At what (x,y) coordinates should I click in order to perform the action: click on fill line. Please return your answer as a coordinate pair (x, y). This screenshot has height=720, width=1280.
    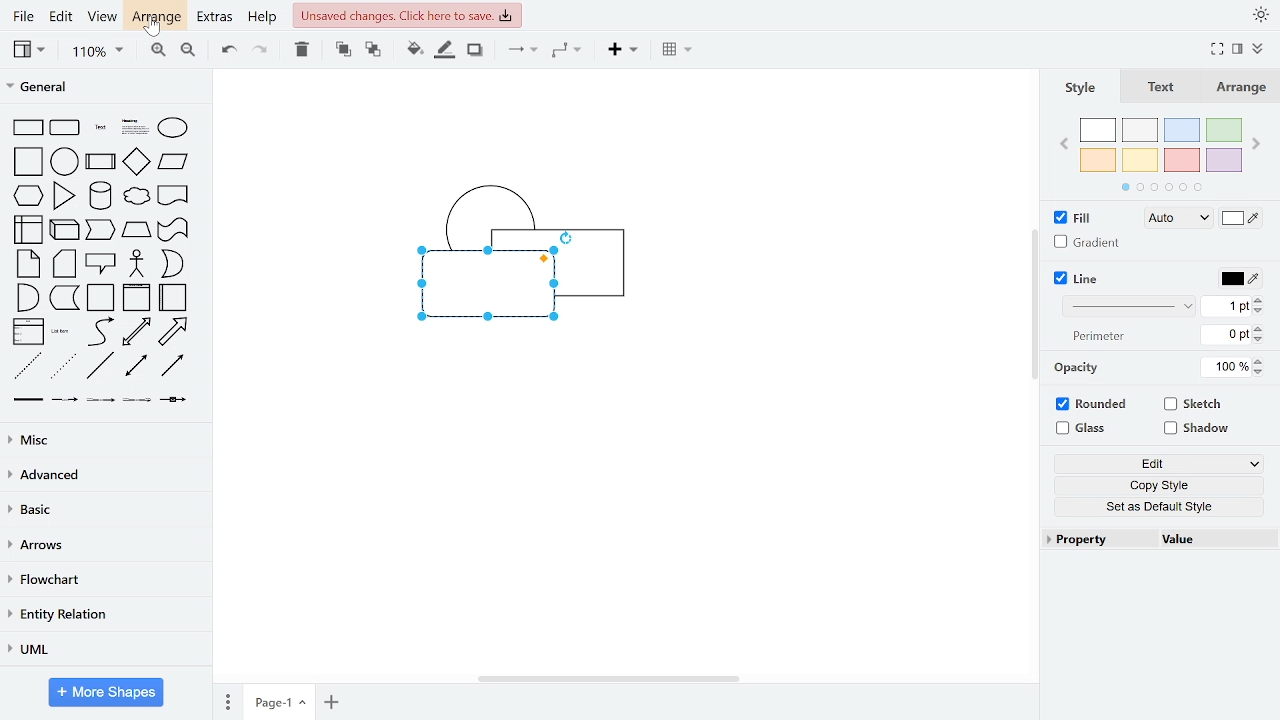
    Looking at the image, I should click on (446, 51).